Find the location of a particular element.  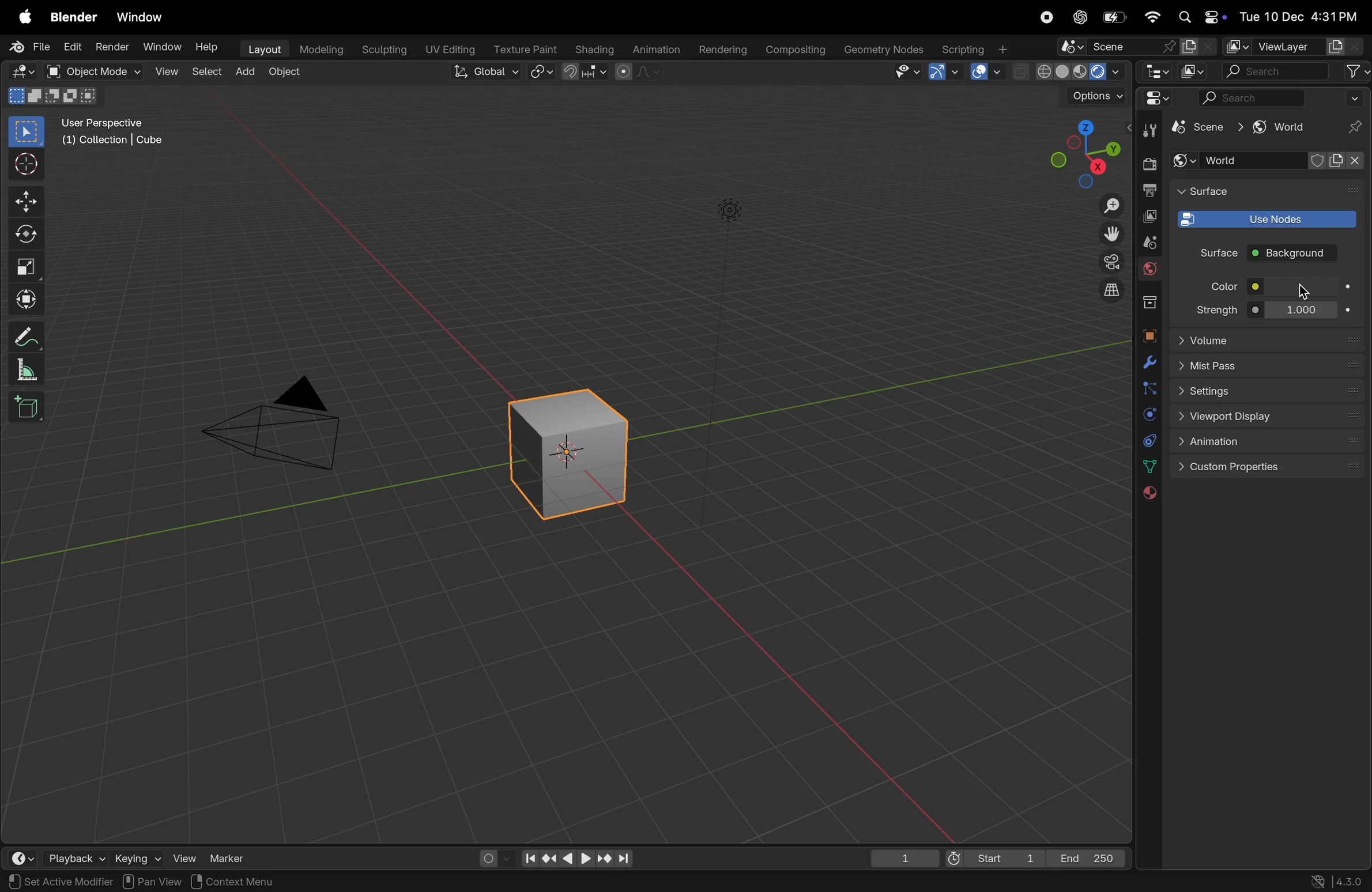

 is located at coordinates (244, 72).